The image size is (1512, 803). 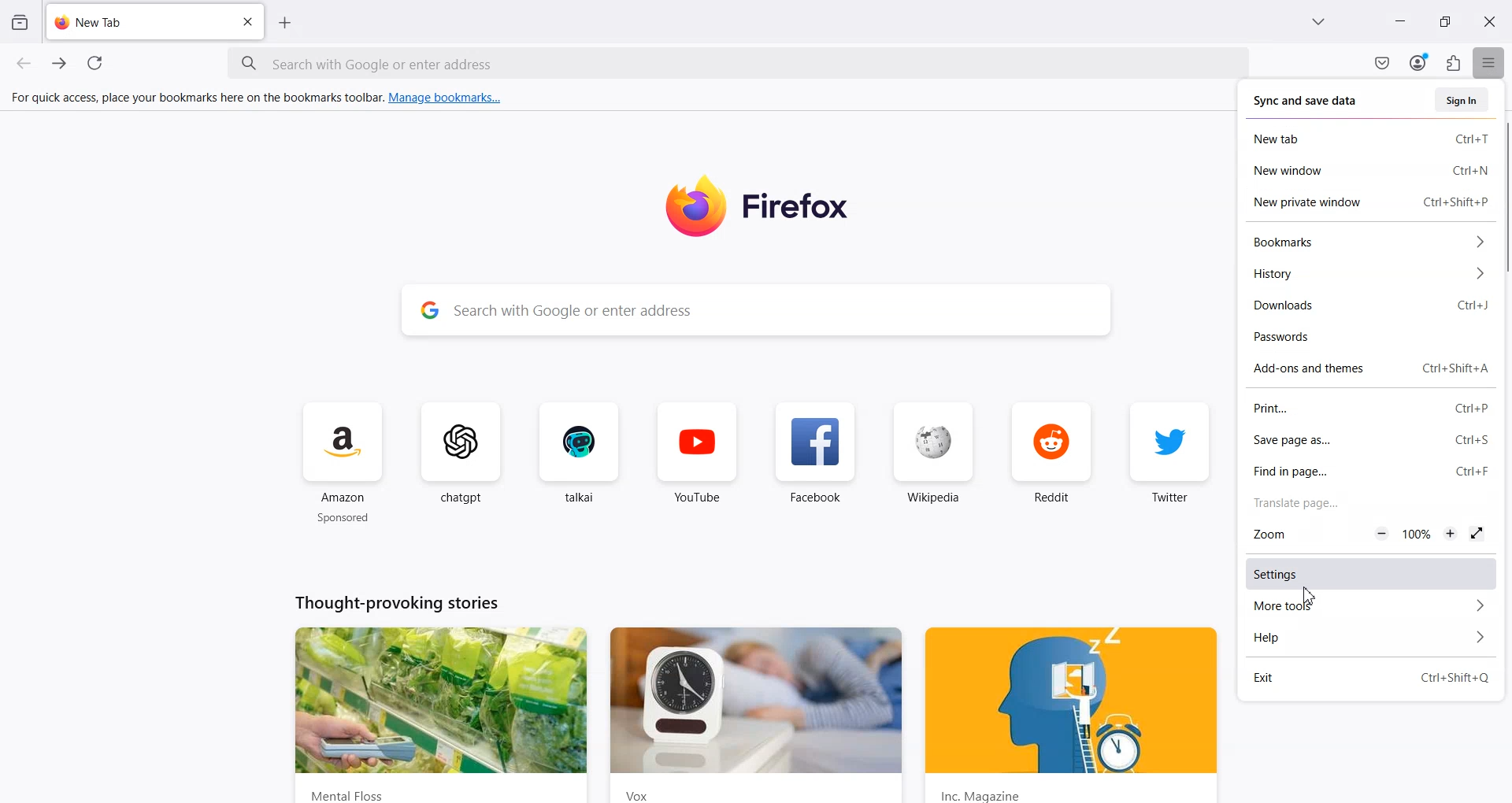 What do you see at coordinates (465, 463) in the screenshot?
I see `ChatGPT` at bounding box center [465, 463].